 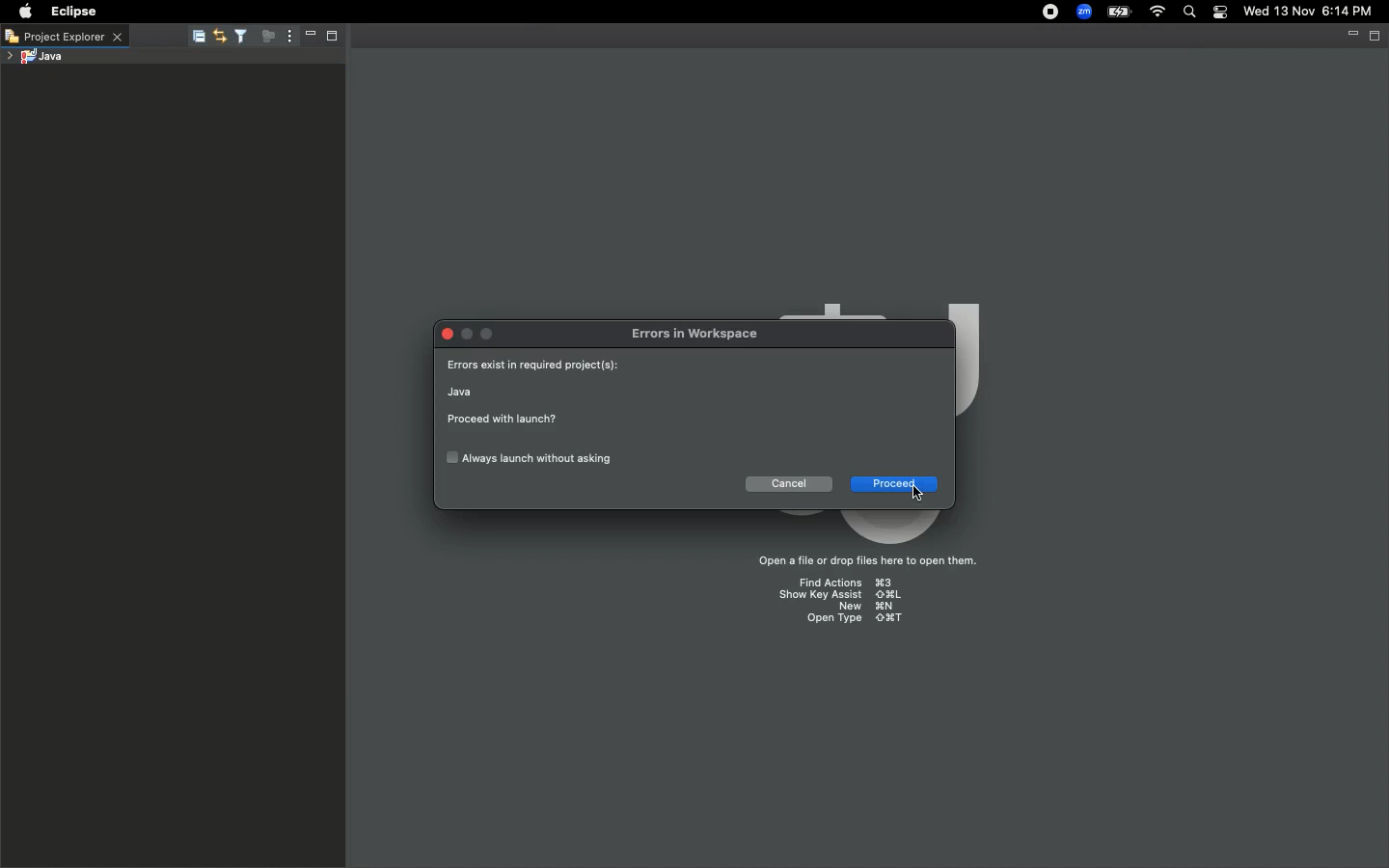 I want to click on Errors exist in required project(s):, so click(x=535, y=366).